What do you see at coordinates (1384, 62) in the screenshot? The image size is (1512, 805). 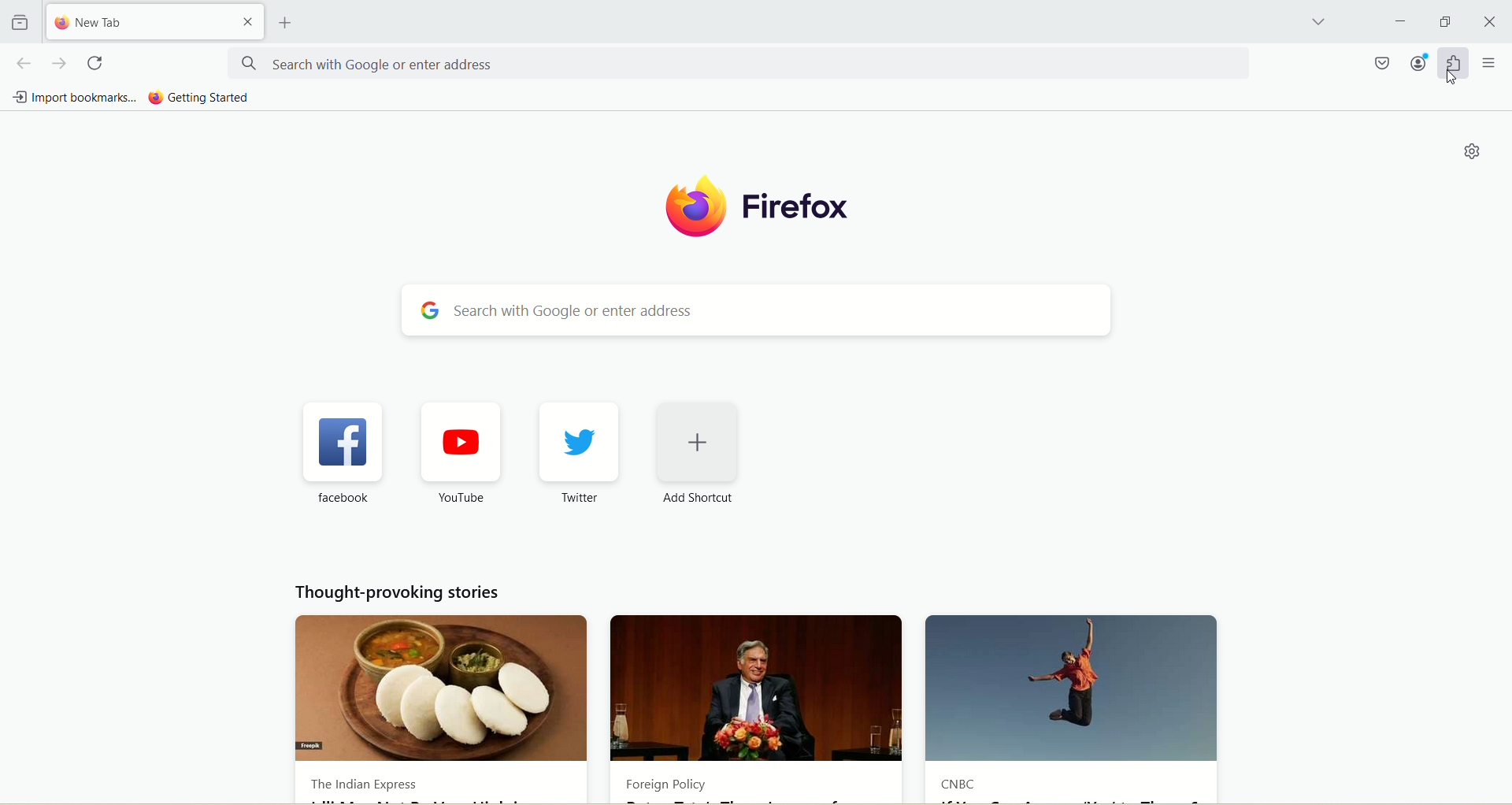 I see `Macsafe` at bounding box center [1384, 62].